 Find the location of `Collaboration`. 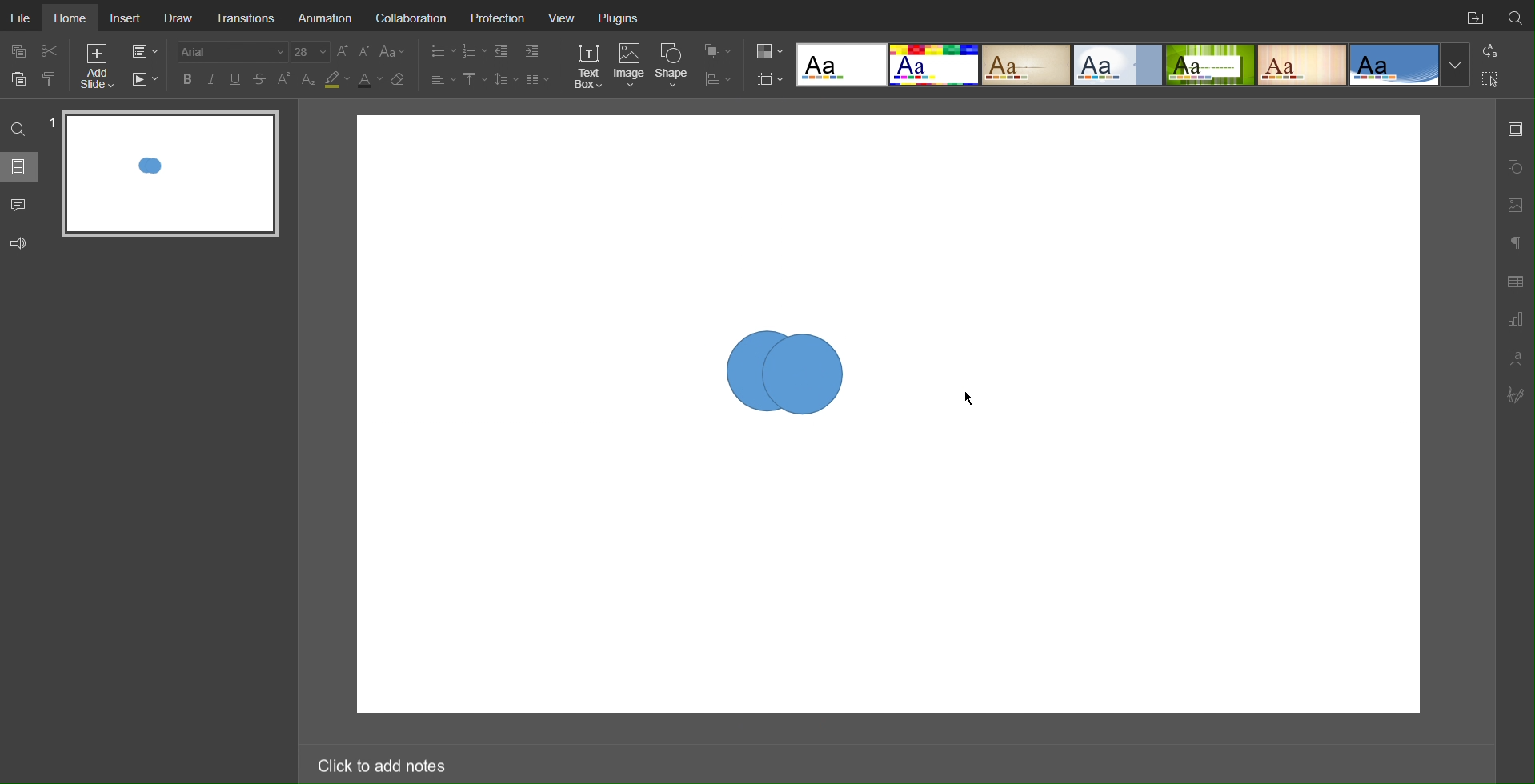

Collaboration is located at coordinates (415, 19).